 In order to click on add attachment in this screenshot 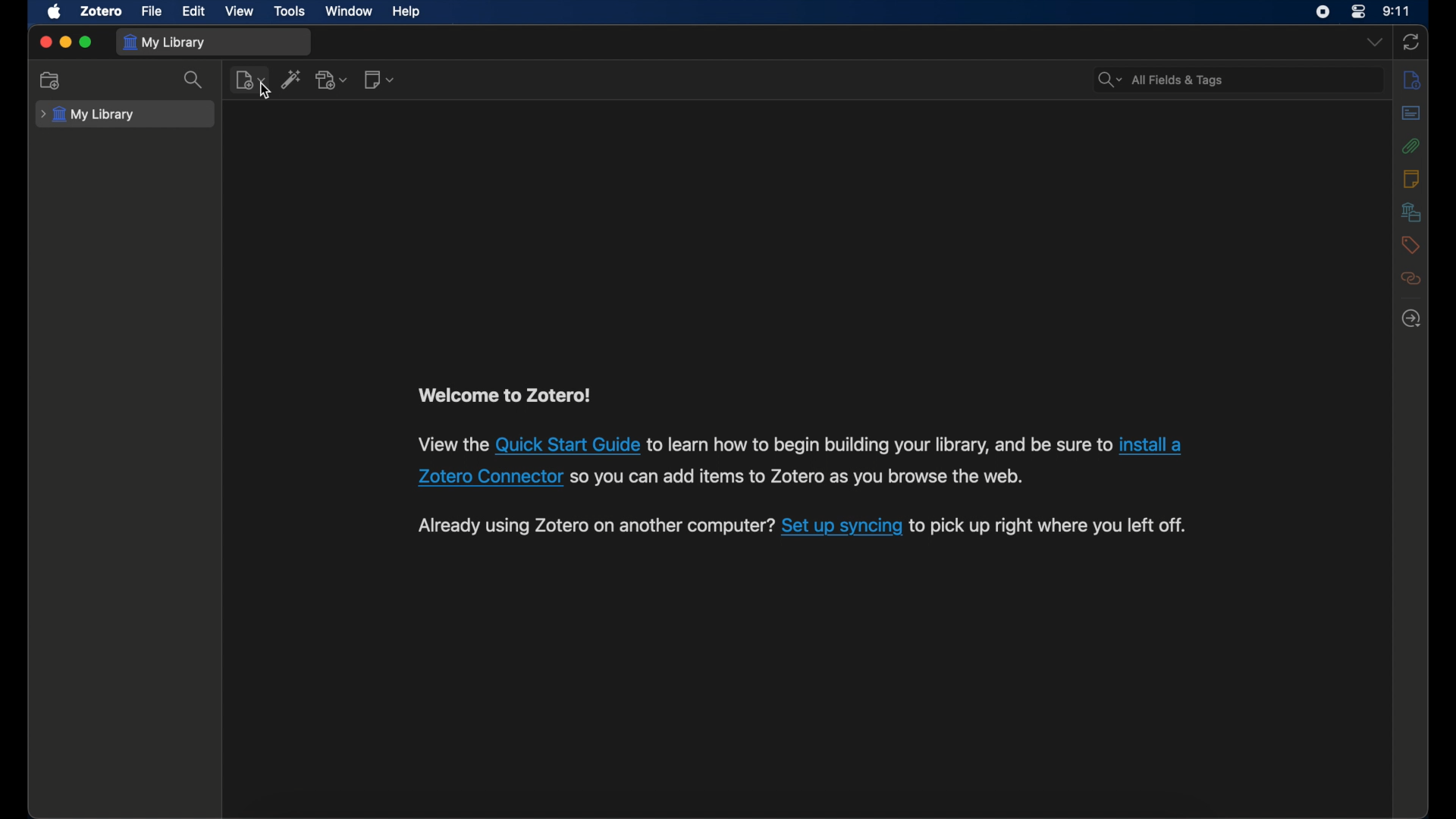, I will do `click(333, 80)`.